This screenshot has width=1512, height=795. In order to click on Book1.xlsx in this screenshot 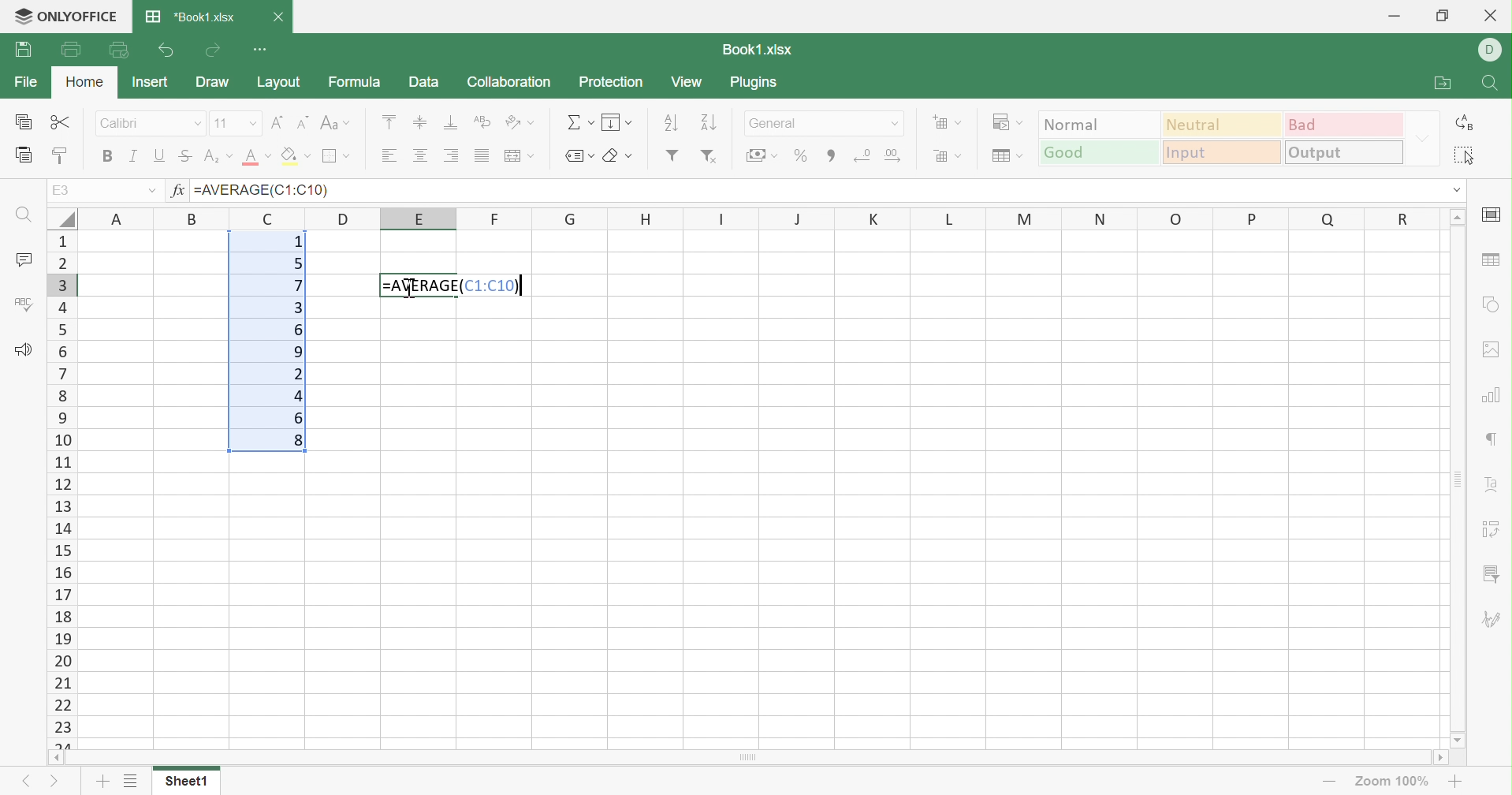, I will do `click(759, 47)`.